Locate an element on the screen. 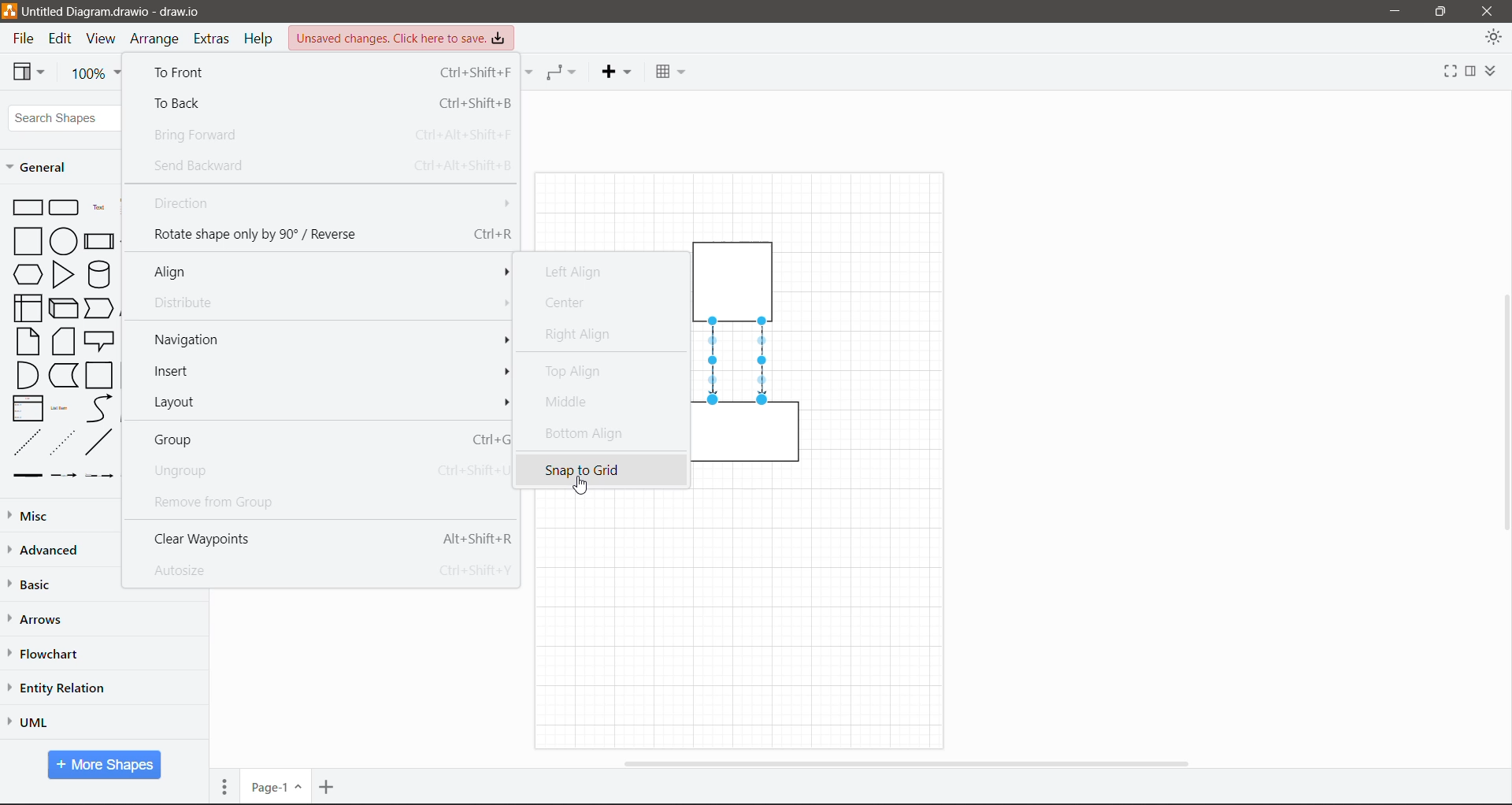 This screenshot has width=1512, height=805. Rotate shape only by 90 degree/Reverse is located at coordinates (327, 234).